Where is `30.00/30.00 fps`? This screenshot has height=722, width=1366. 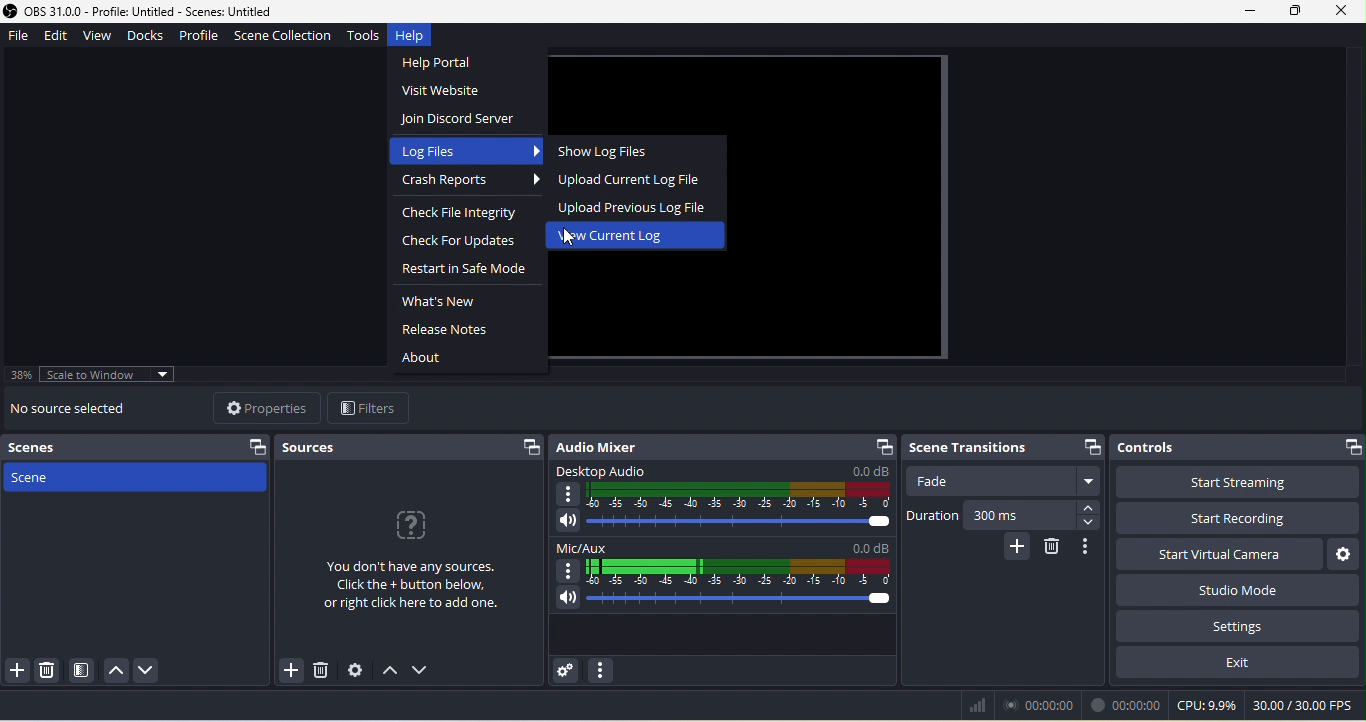 30.00/30.00 fps is located at coordinates (1306, 707).